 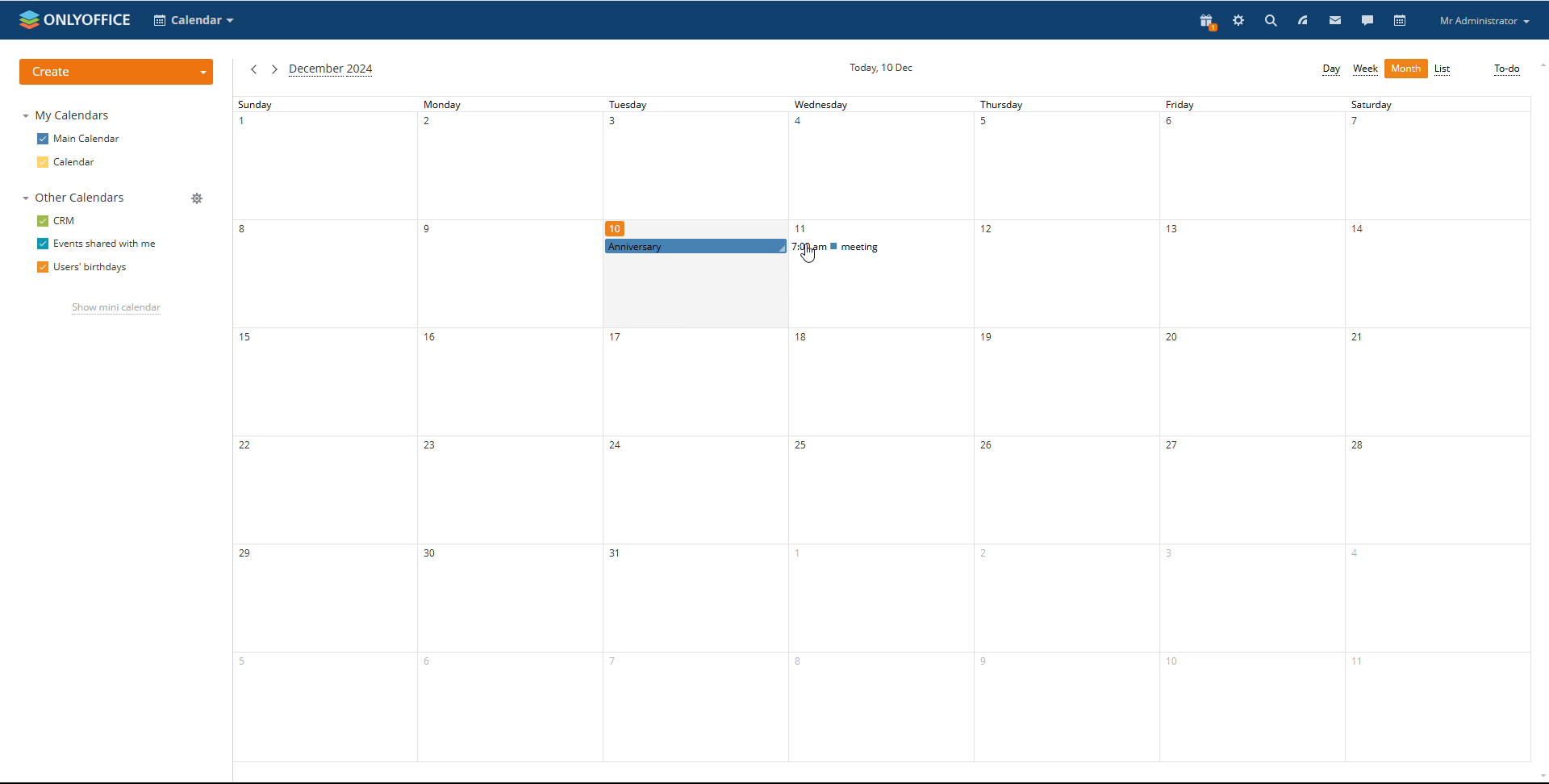 I want to click on scroll down, so click(x=1539, y=778).